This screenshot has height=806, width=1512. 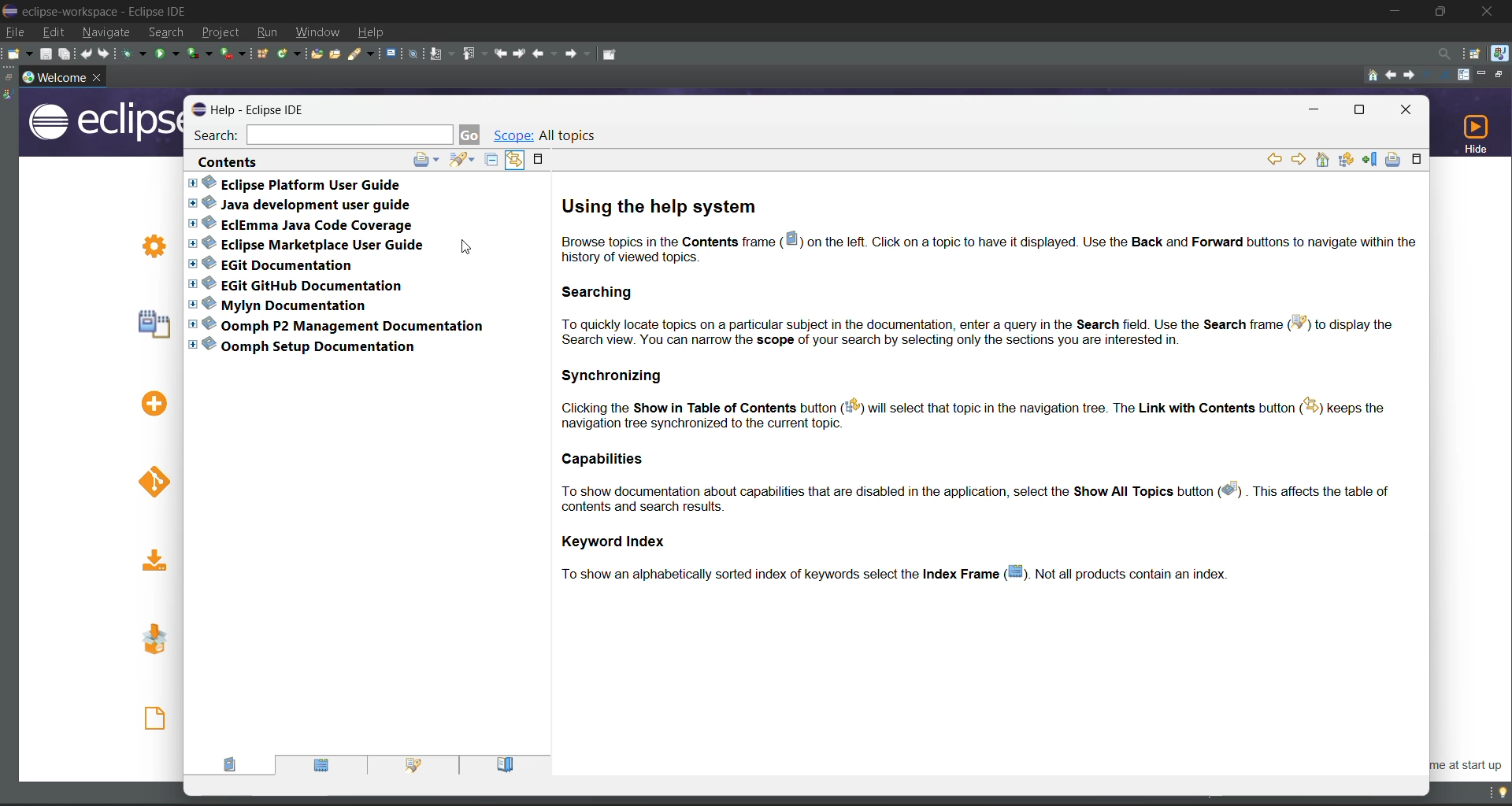 What do you see at coordinates (988, 407) in the screenshot?
I see `synchronizing` at bounding box center [988, 407].